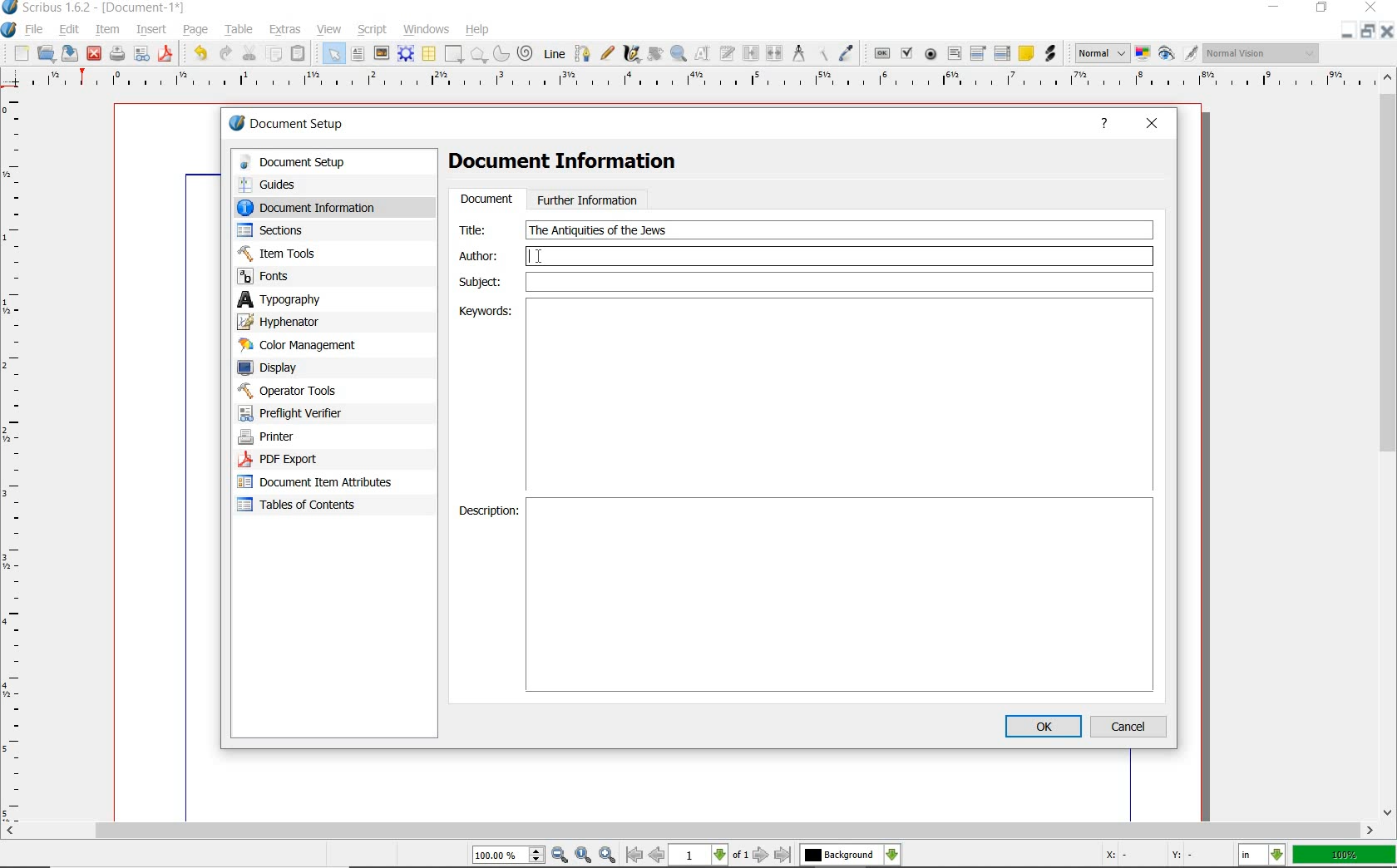  I want to click on cancel, so click(1131, 726).